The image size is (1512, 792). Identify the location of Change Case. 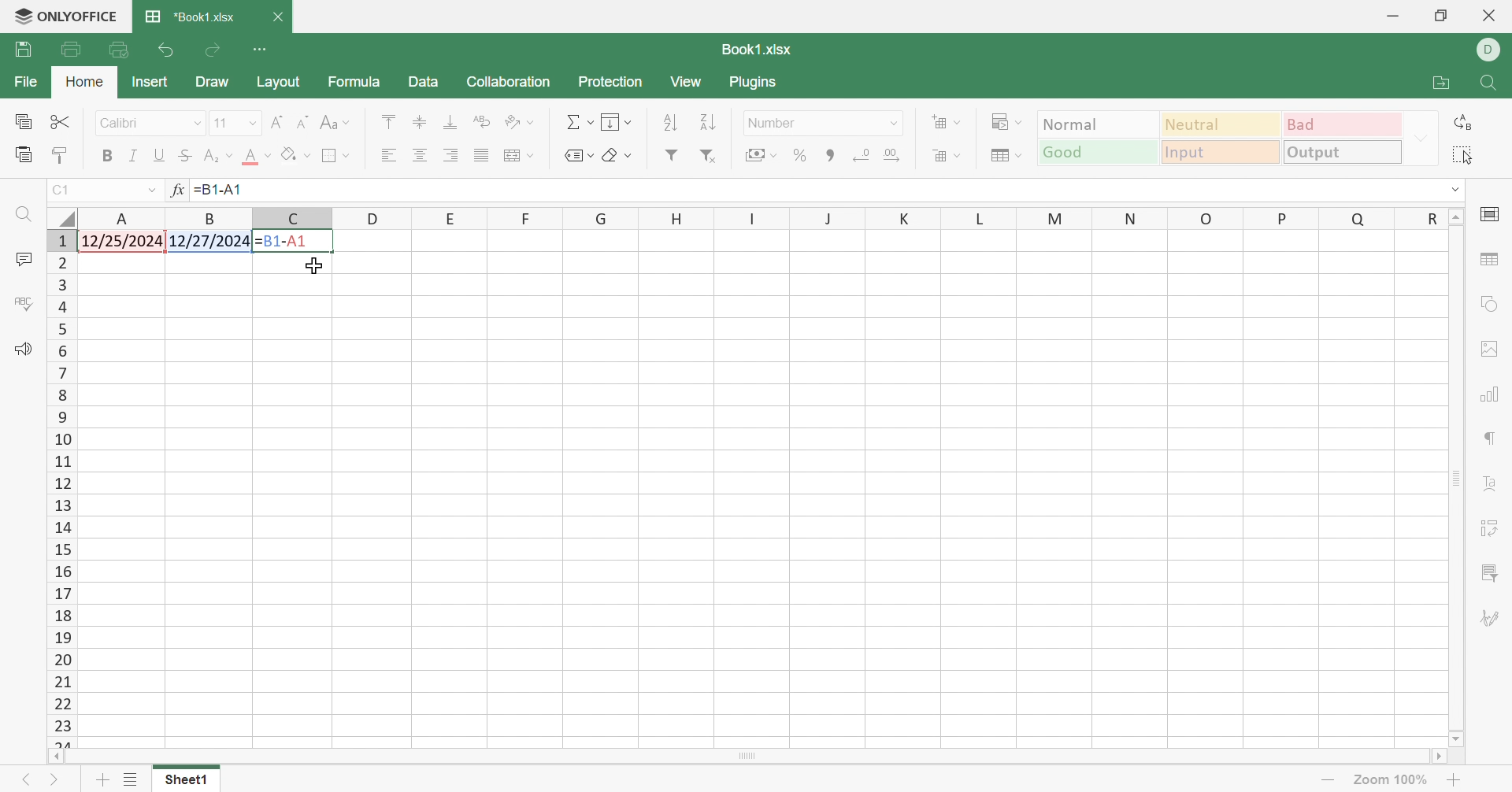
(336, 124).